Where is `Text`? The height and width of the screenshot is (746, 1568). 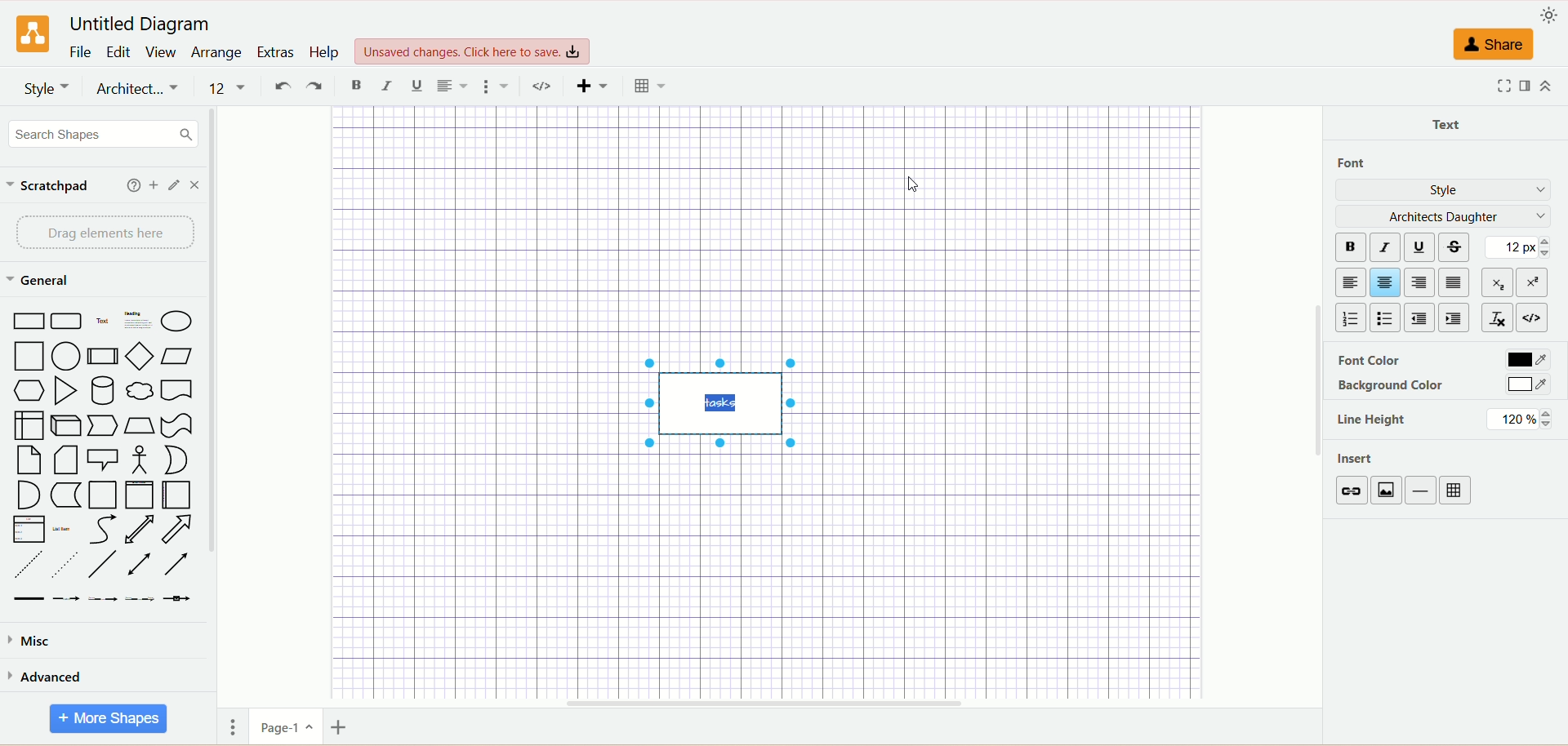
Text is located at coordinates (103, 321).